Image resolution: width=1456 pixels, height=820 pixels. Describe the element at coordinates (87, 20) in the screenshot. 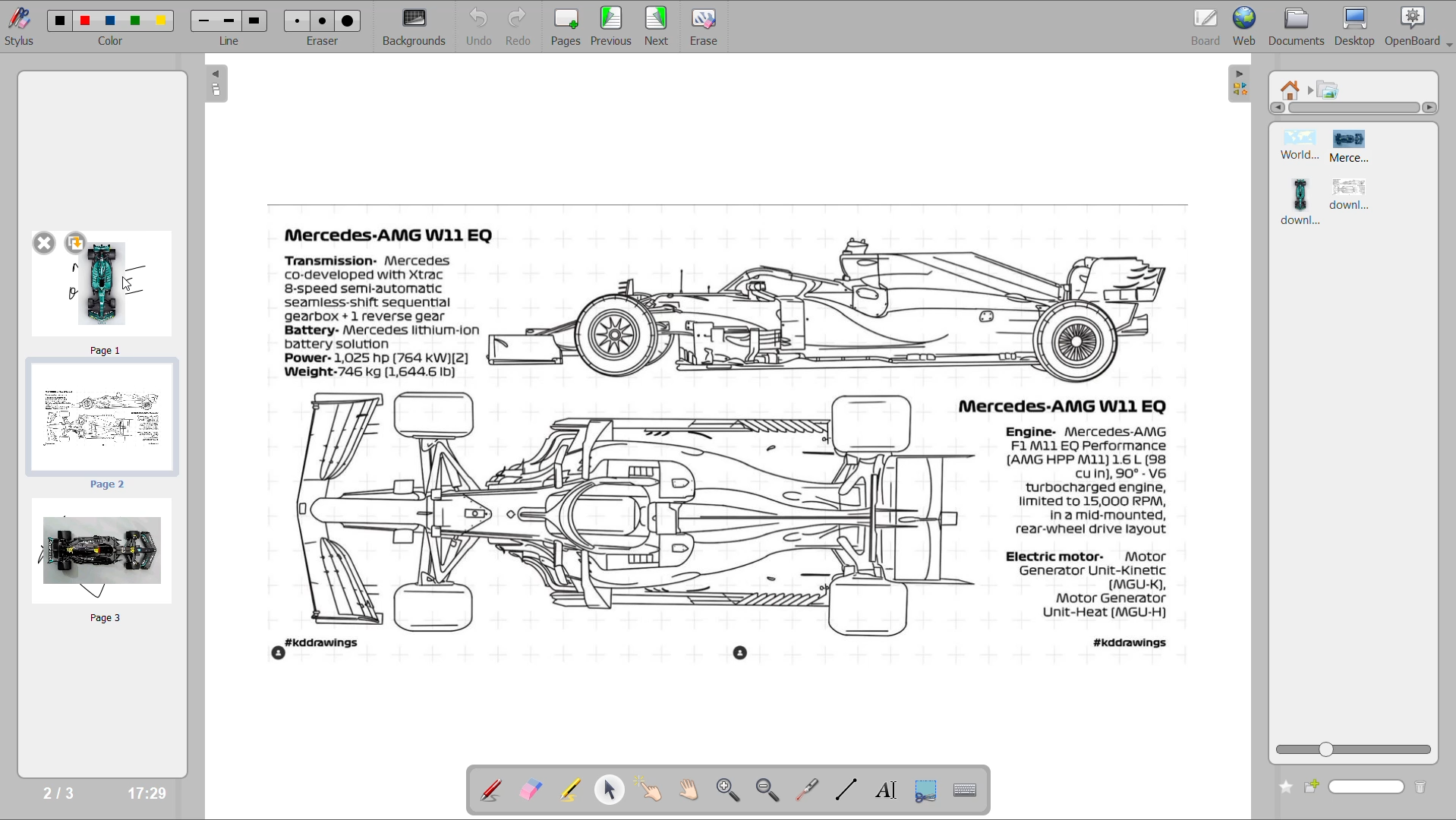

I see `color 2` at that location.